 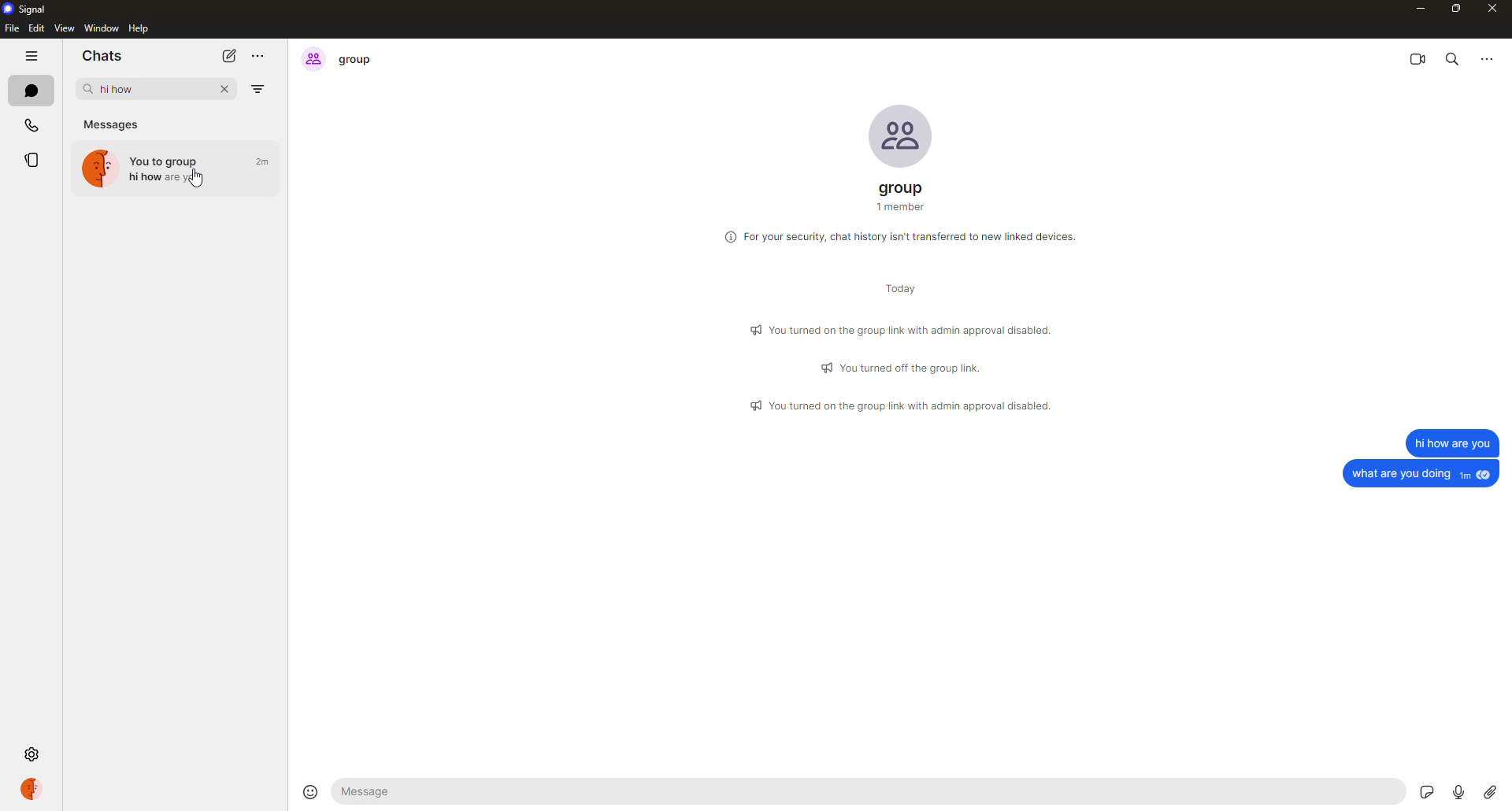 I want to click on view, so click(x=65, y=30).